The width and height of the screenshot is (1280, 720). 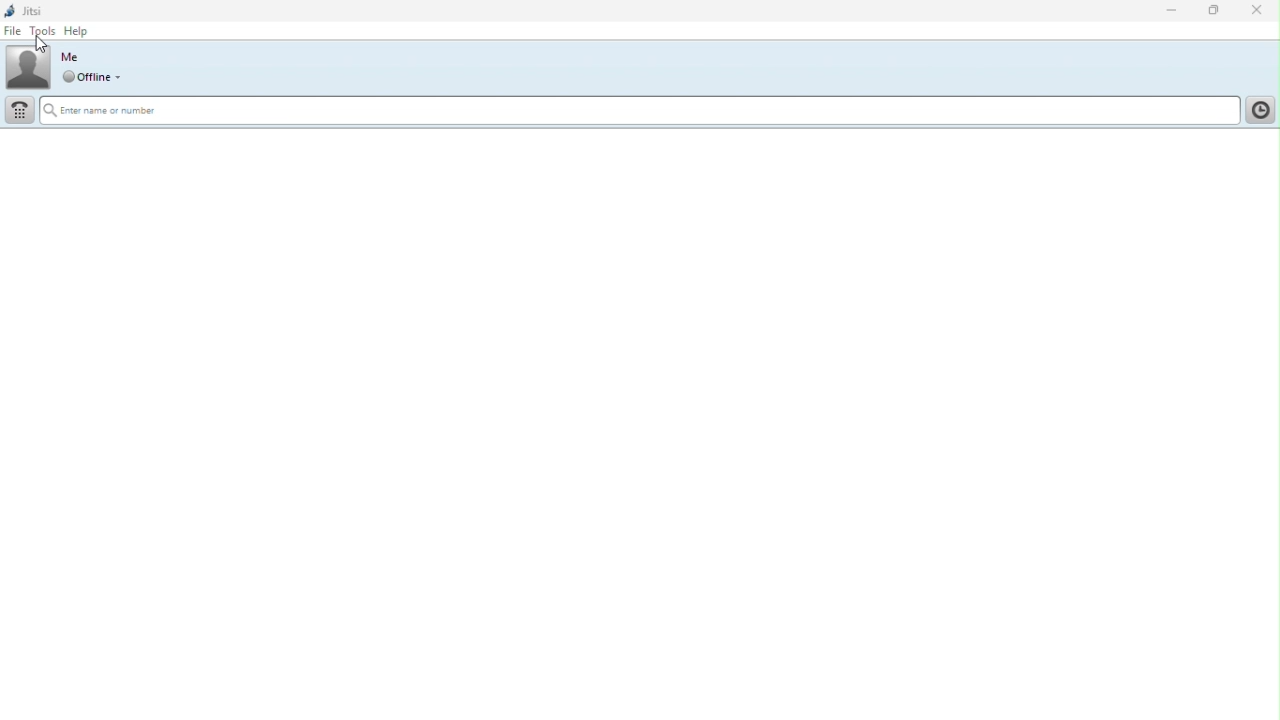 I want to click on History, so click(x=1259, y=110).